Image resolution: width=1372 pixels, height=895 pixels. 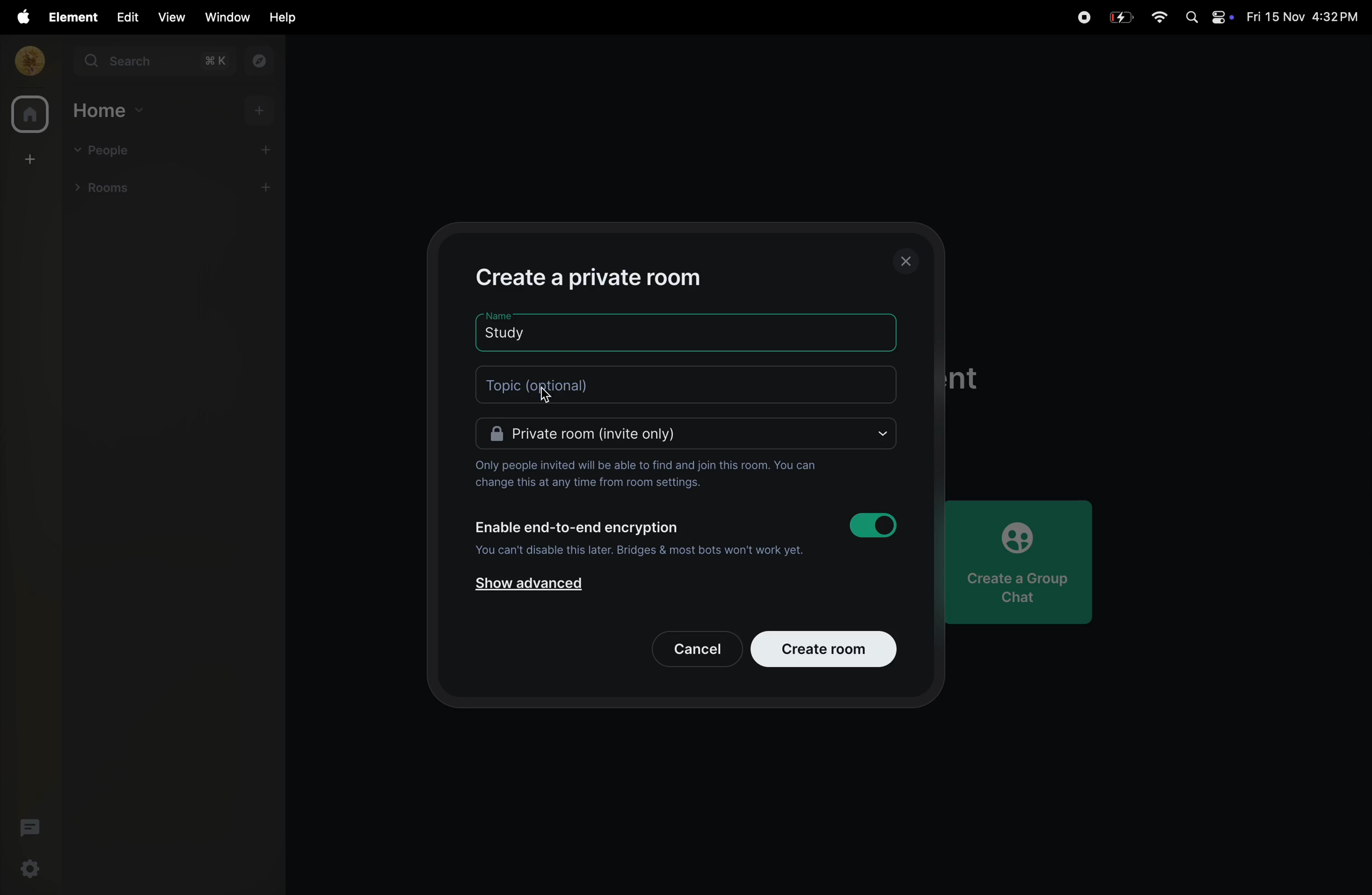 I want to click on you cannot disabole it later, so click(x=638, y=552).